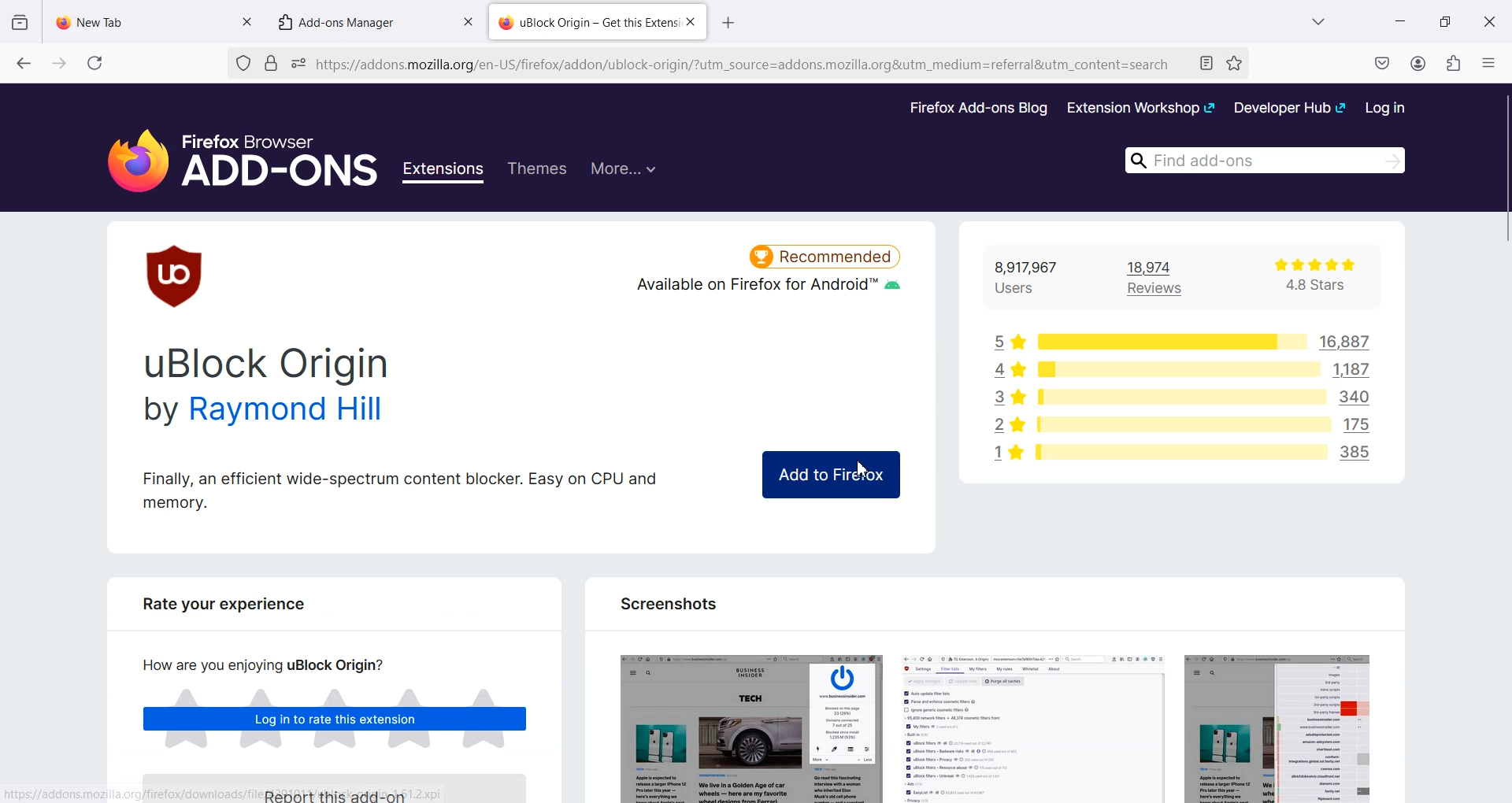 The image size is (1512, 803). Describe the element at coordinates (335, 720) in the screenshot. I see `Log in to rate this extensions` at that location.